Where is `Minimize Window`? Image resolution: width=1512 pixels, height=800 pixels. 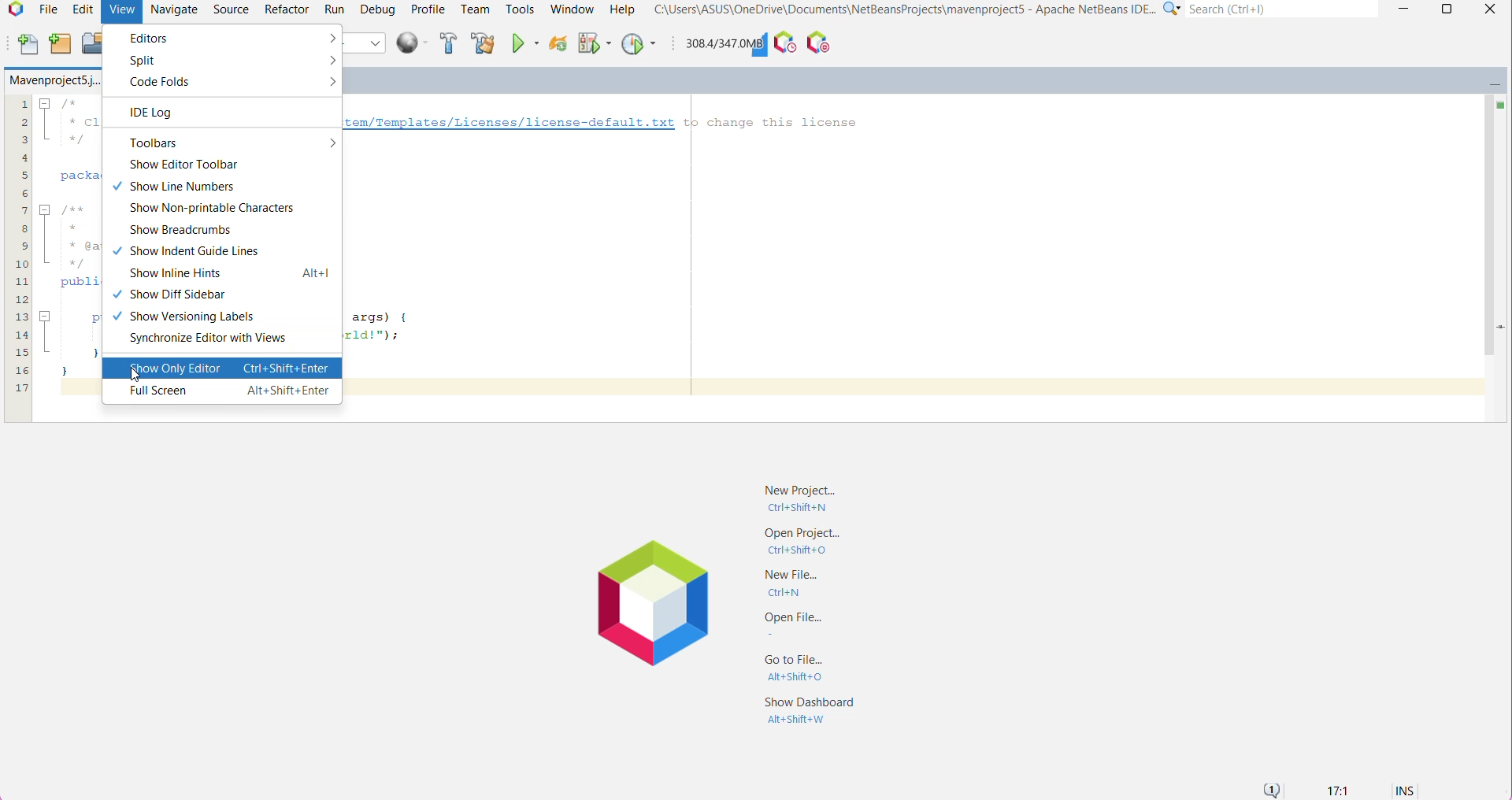 Minimize Window is located at coordinates (1493, 82).